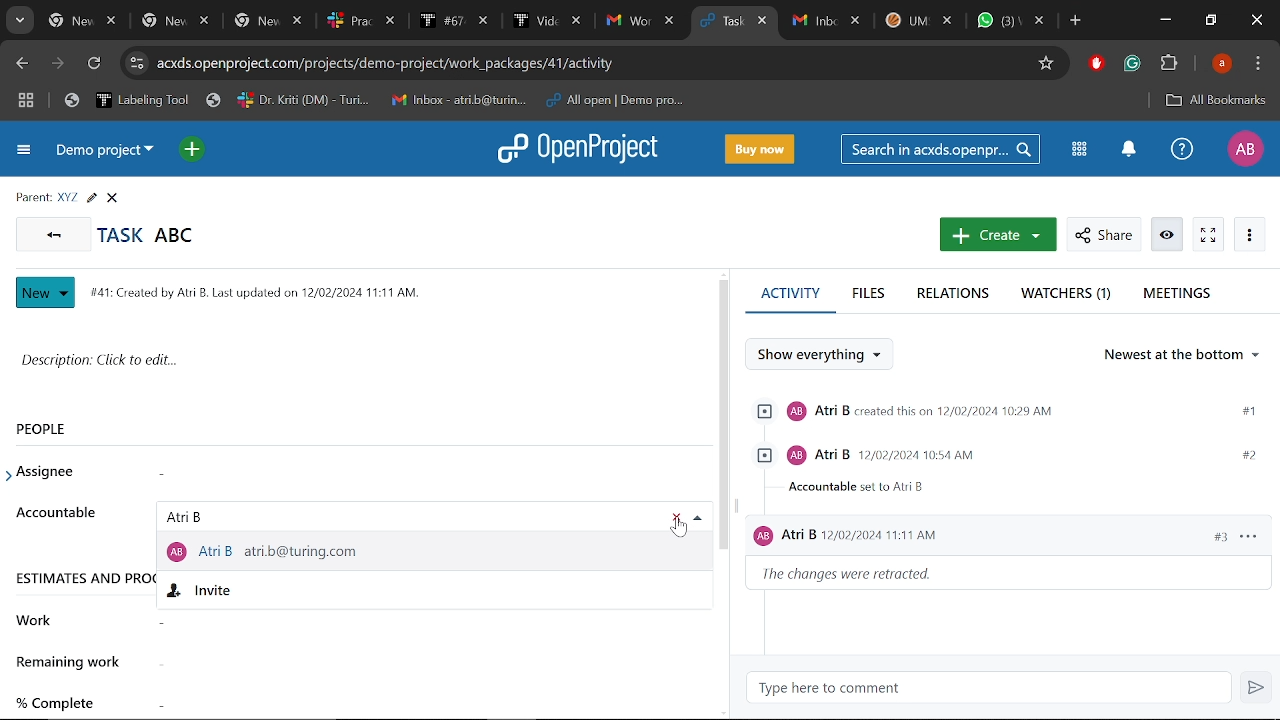 The height and width of the screenshot is (720, 1280). I want to click on Parent task name, so click(68, 197).